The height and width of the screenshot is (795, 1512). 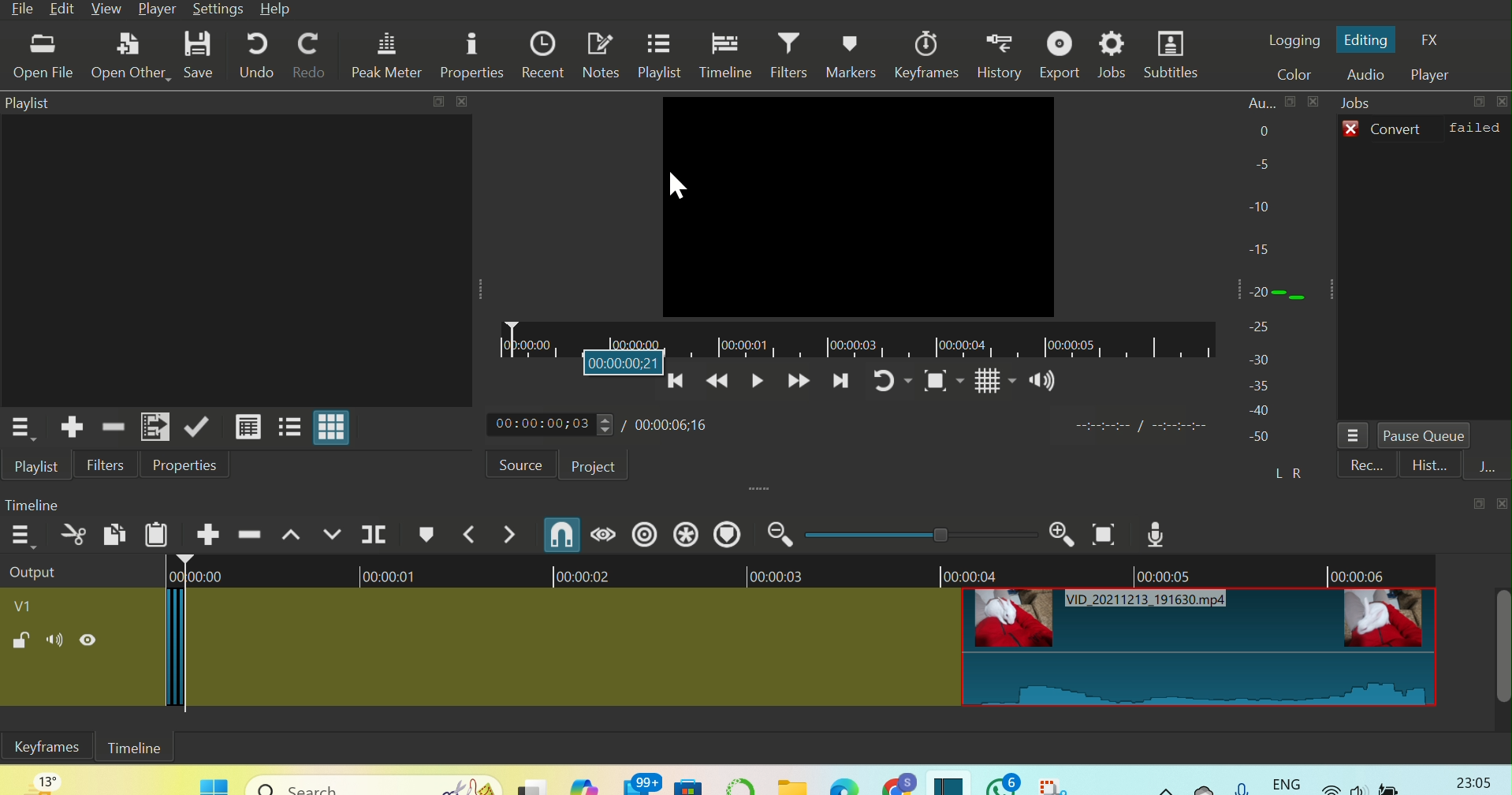 What do you see at coordinates (626, 364) in the screenshot?
I see `` at bounding box center [626, 364].